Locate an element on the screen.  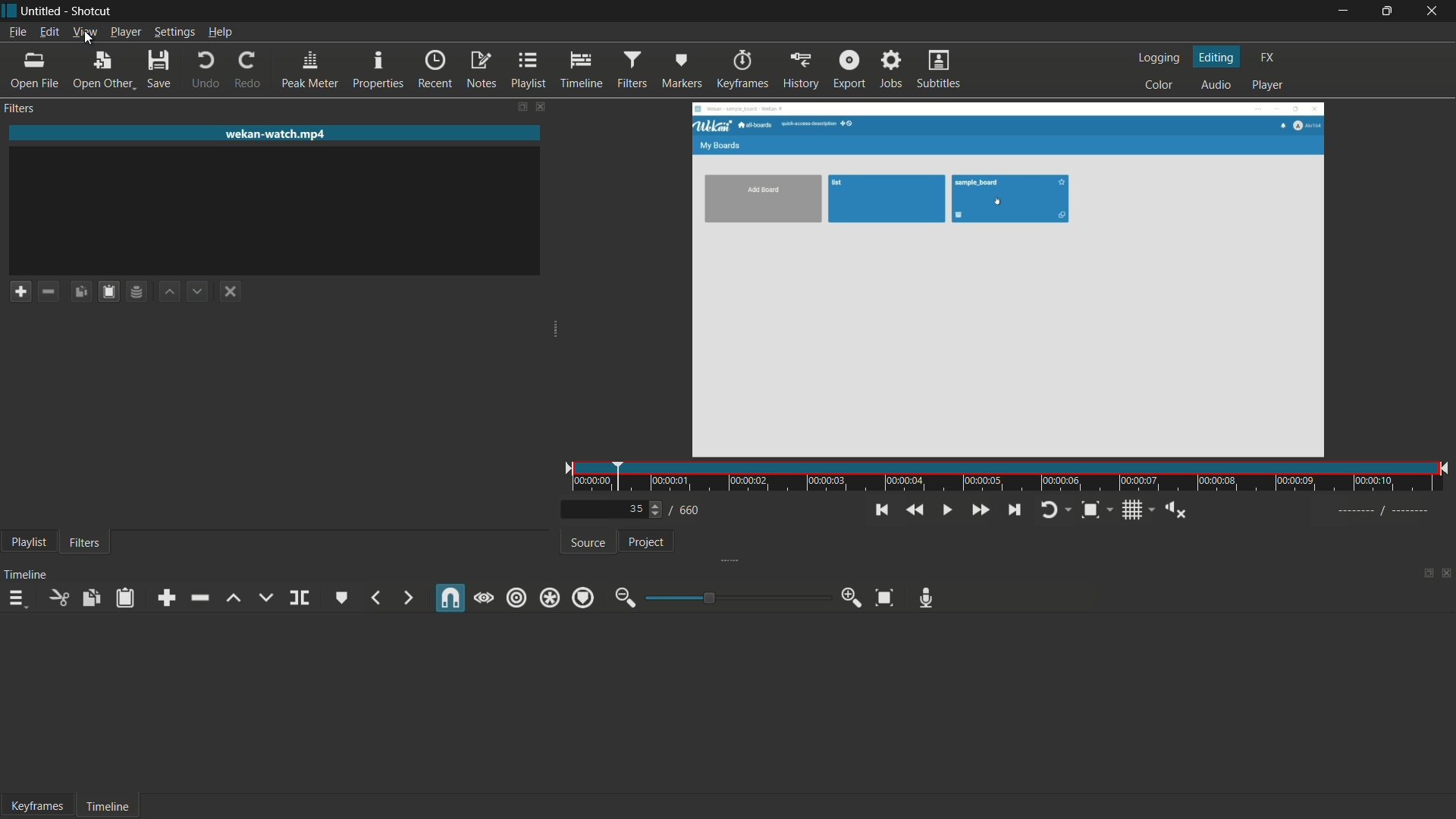
redo is located at coordinates (248, 71).